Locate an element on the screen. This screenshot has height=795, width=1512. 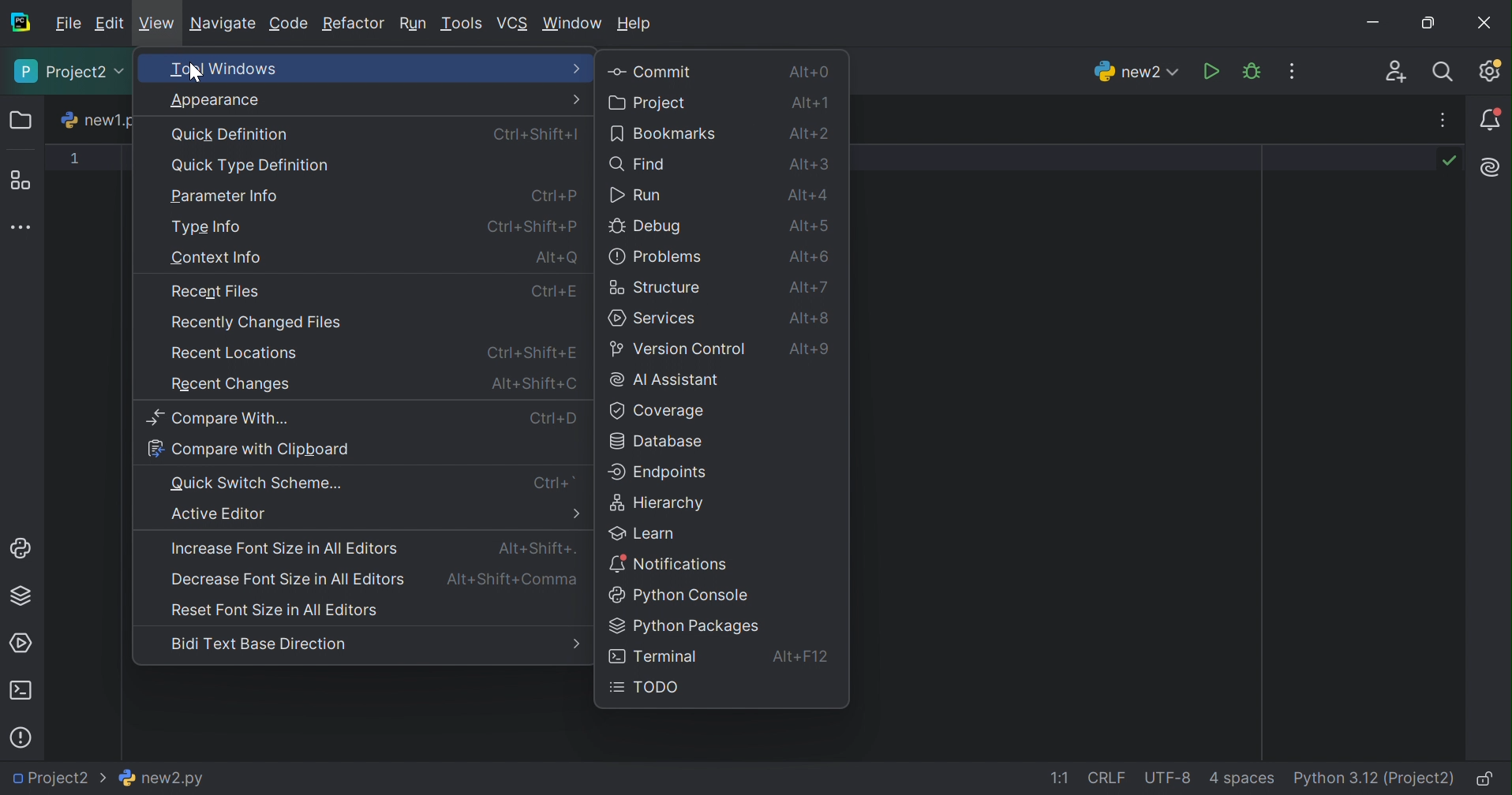
Bookmarks is located at coordinates (665, 132).